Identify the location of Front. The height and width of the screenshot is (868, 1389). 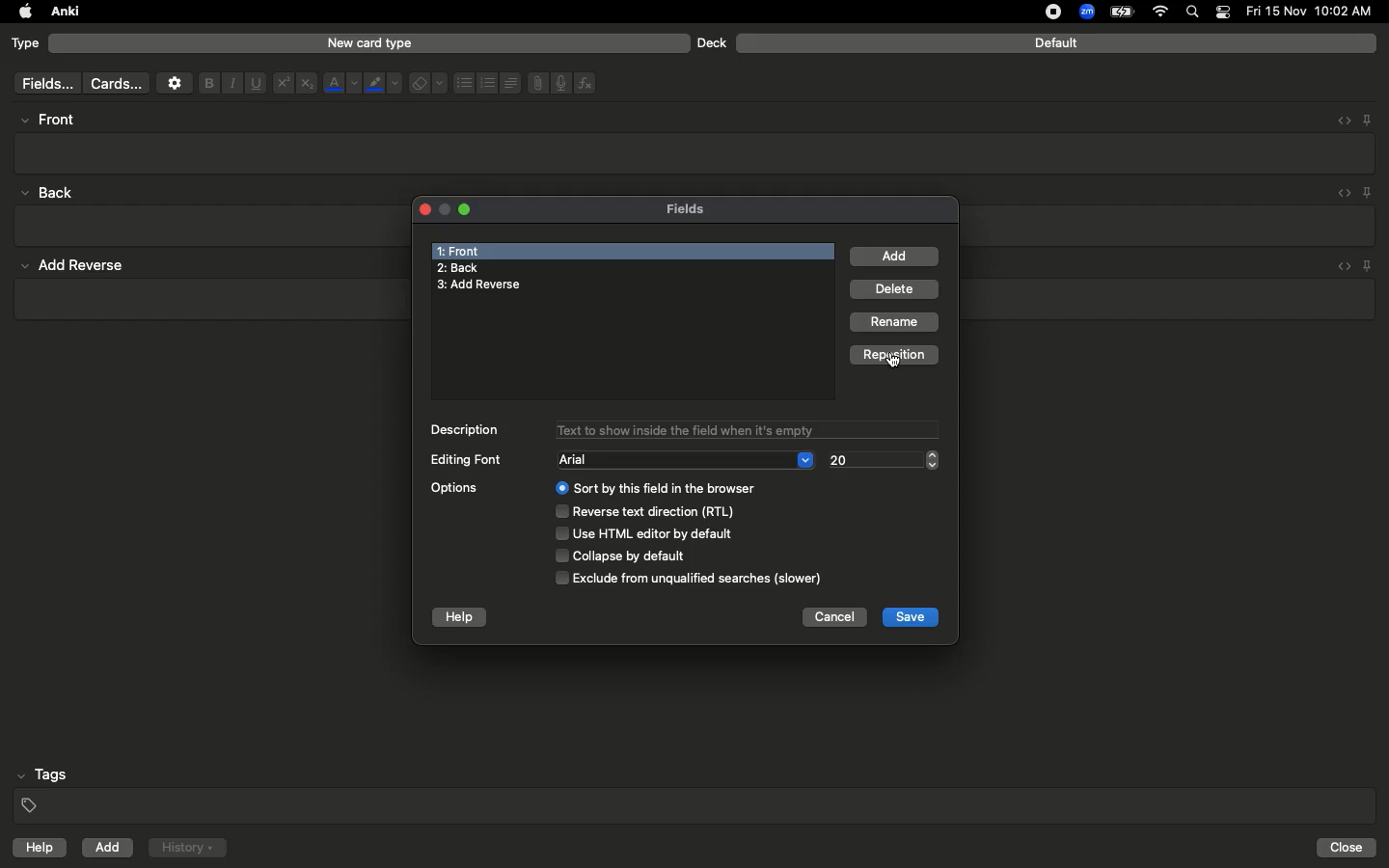
(461, 249).